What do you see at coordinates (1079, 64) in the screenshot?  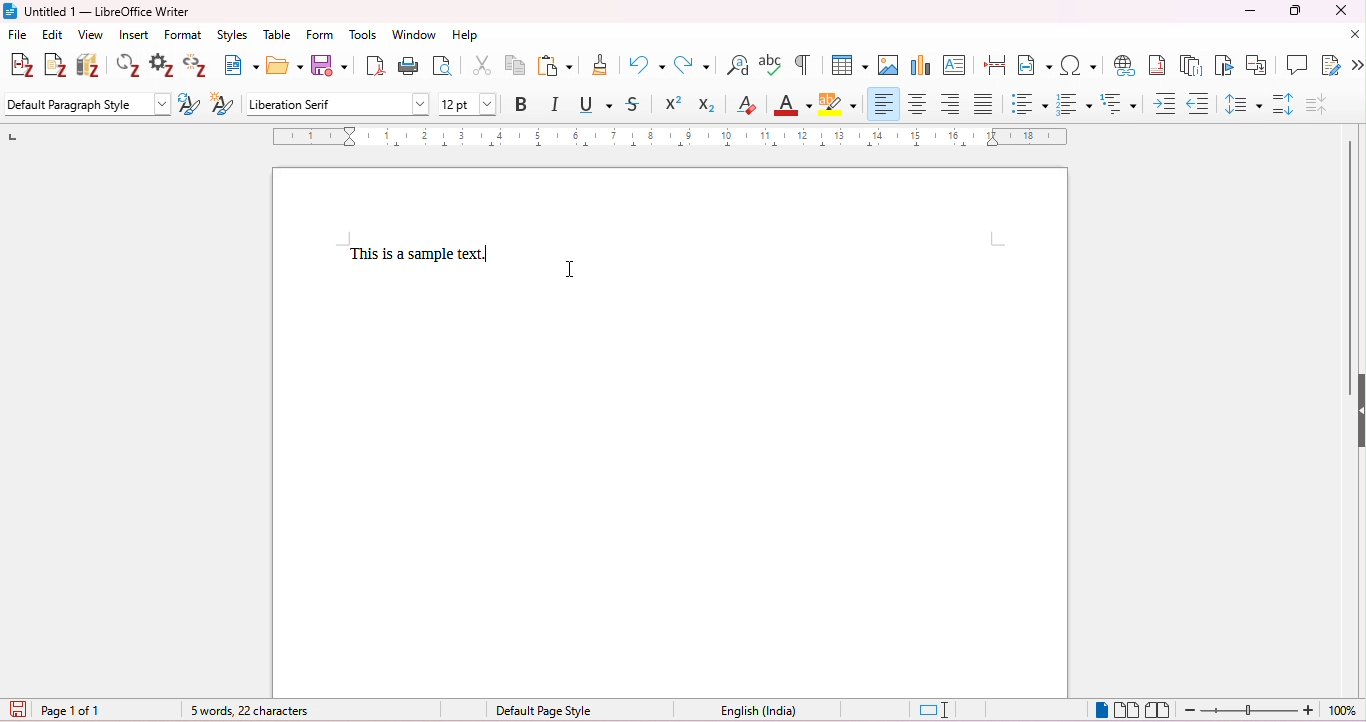 I see `insert special characters` at bounding box center [1079, 64].